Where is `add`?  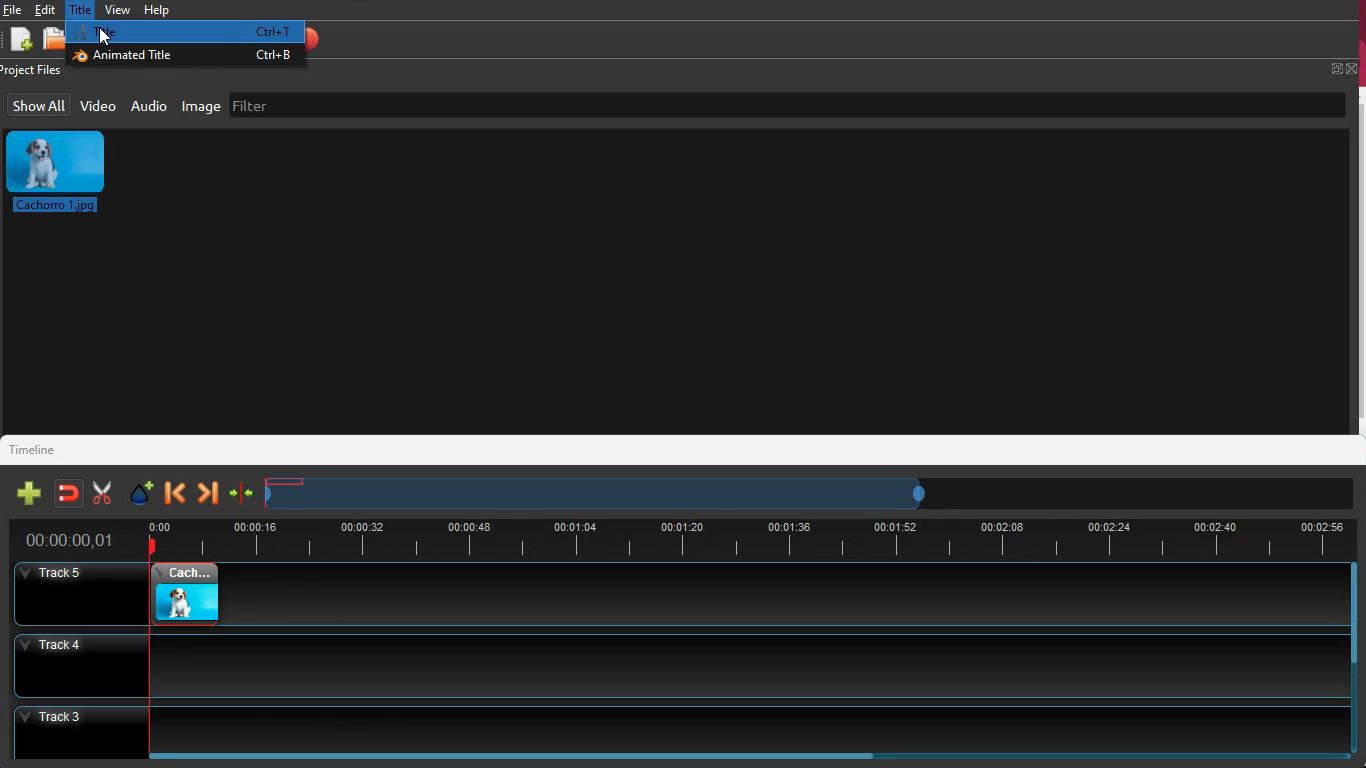 add is located at coordinates (25, 494).